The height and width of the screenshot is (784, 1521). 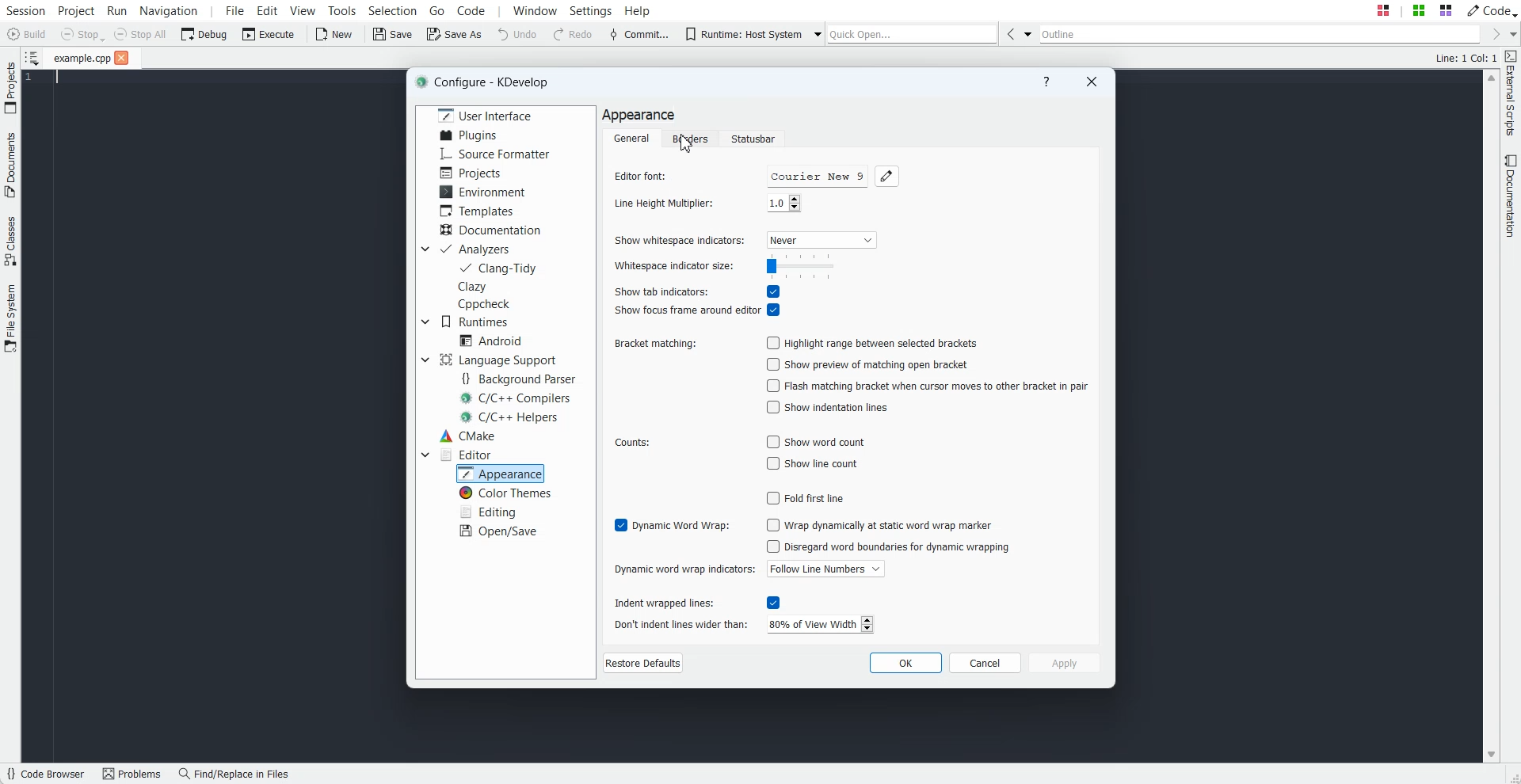 What do you see at coordinates (889, 176) in the screenshot?
I see `Choose font` at bounding box center [889, 176].